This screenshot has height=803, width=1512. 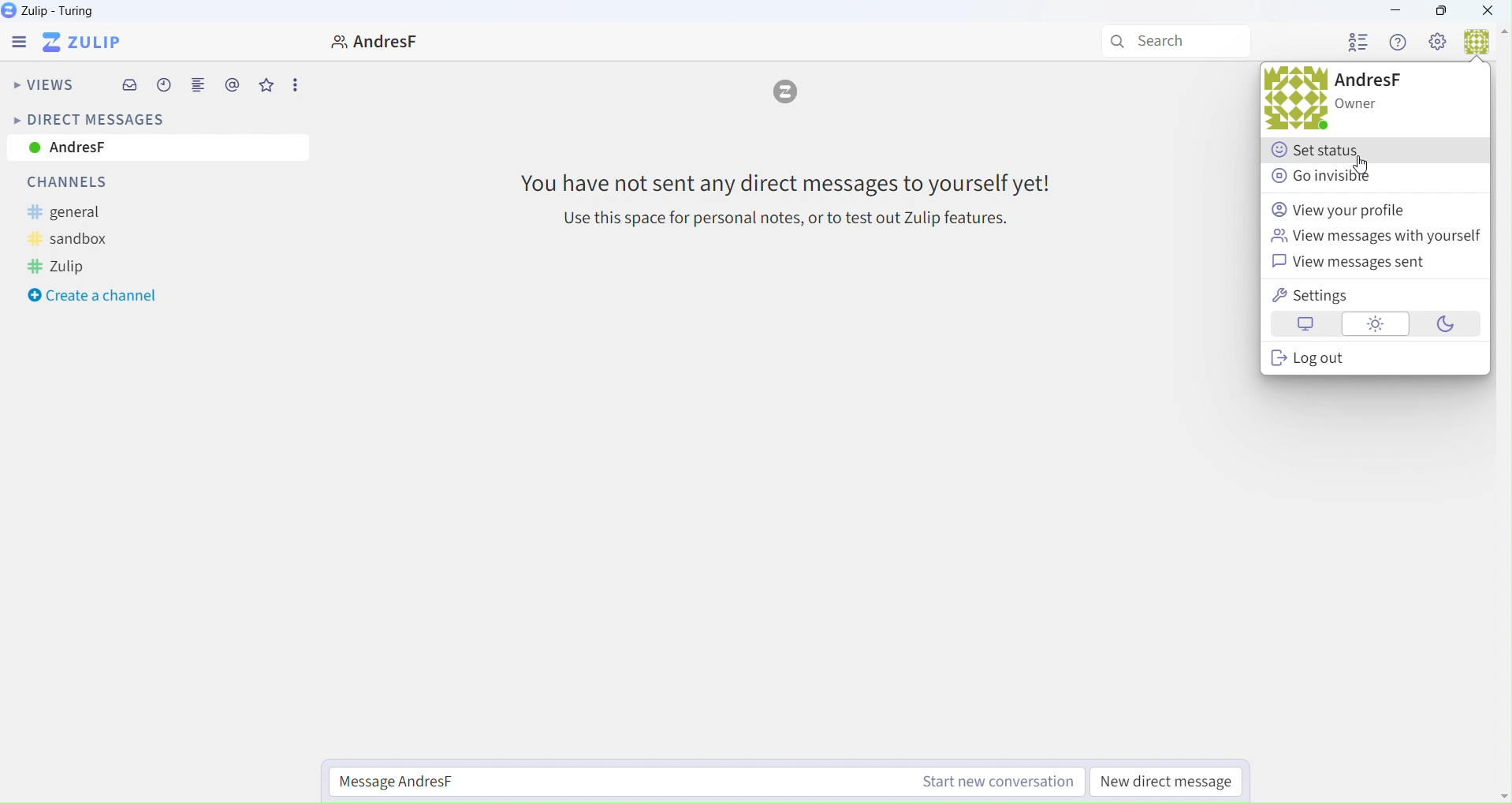 What do you see at coordinates (15, 42) in the screenshot?
I see `Menu` at bounding box center [15, 42].